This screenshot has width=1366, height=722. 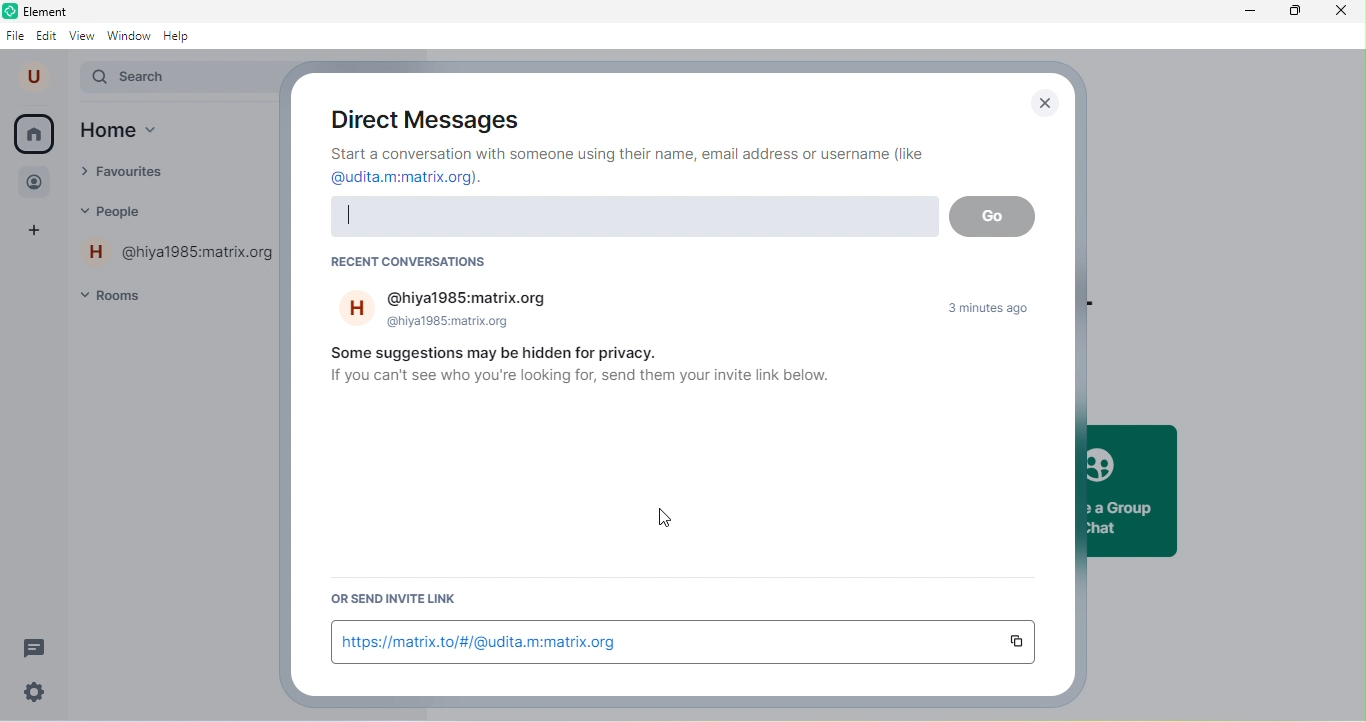 What do you see at coordinates (142, 132) in the screenshot?
I see `home` at bounding box center [142, 132].